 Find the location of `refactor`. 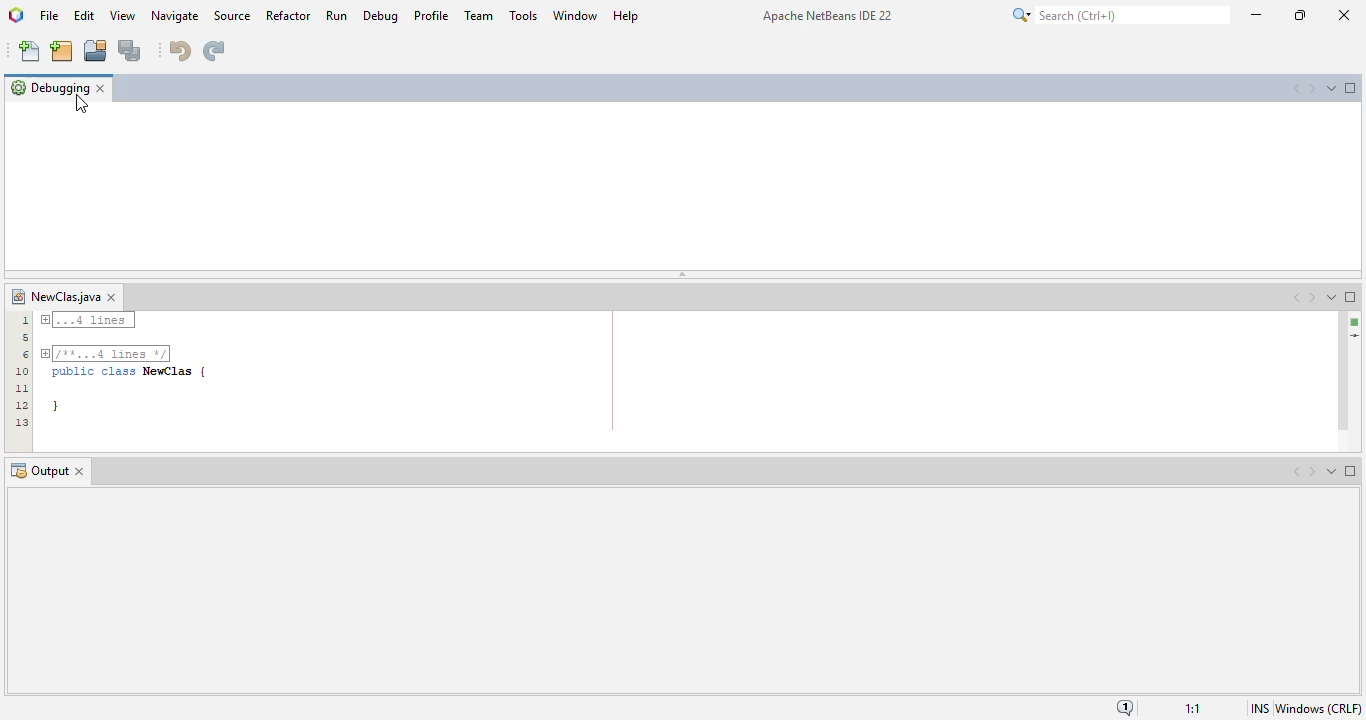

refactor is located at coordinates (289, 15).